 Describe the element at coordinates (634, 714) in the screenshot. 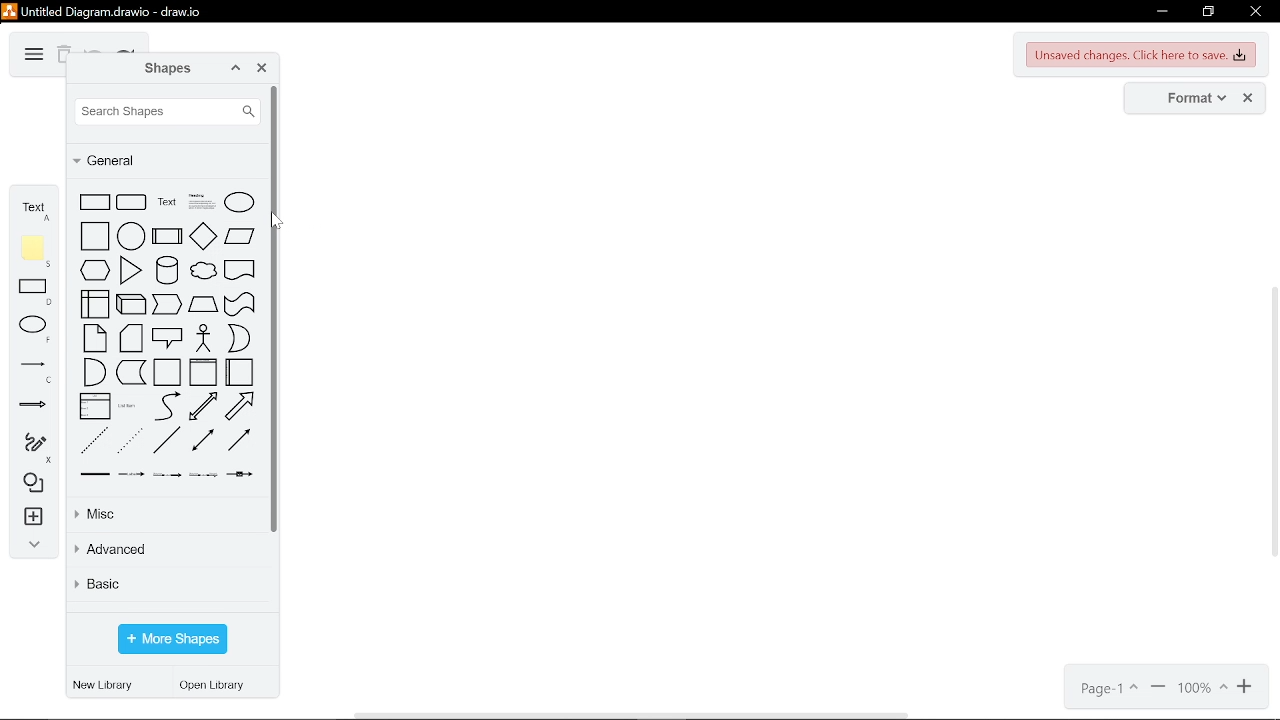

I see `horizontal scroll bar` at that location.